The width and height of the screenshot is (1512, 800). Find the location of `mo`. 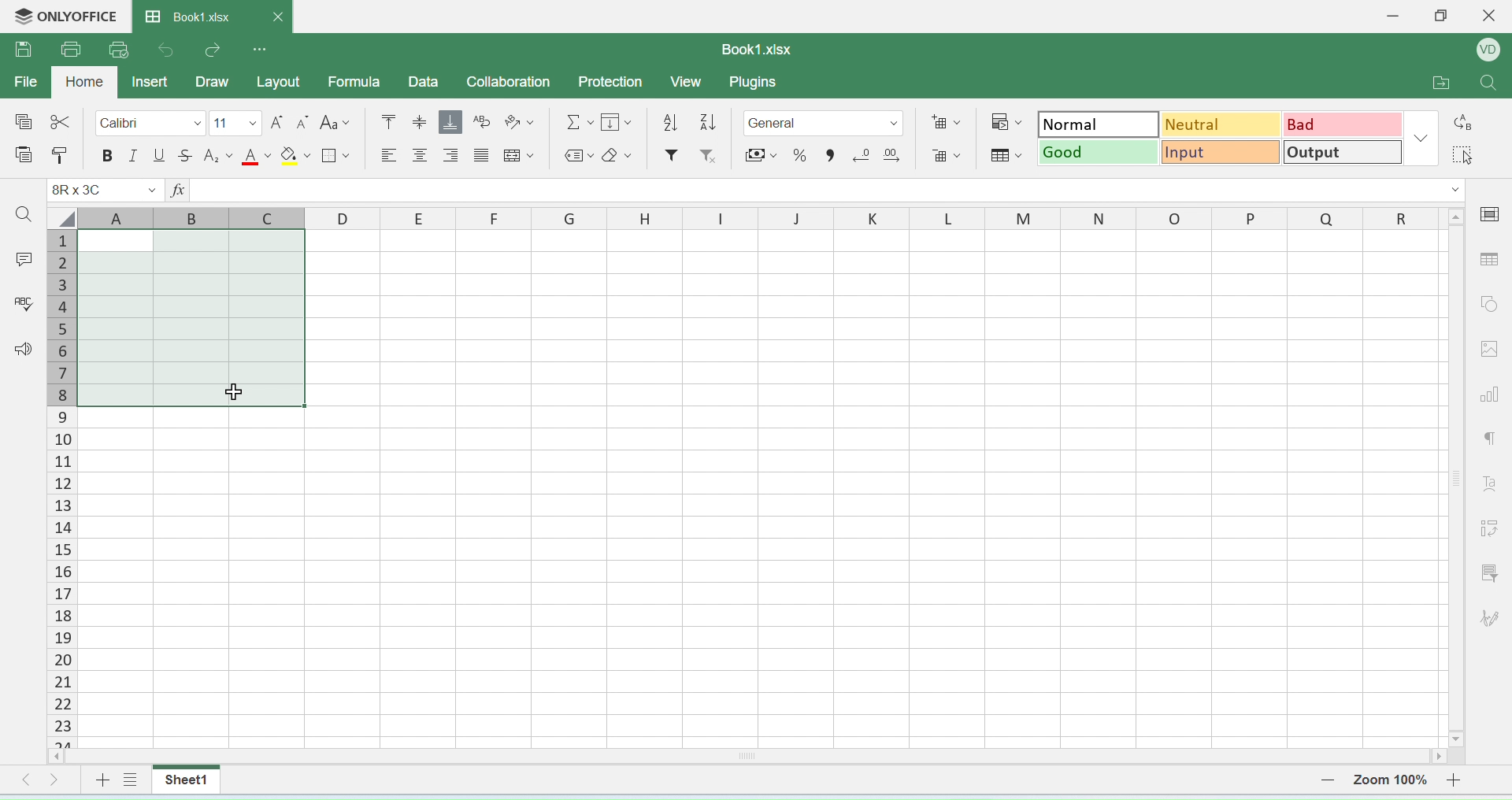

mo is located at coordinates (391, 123).